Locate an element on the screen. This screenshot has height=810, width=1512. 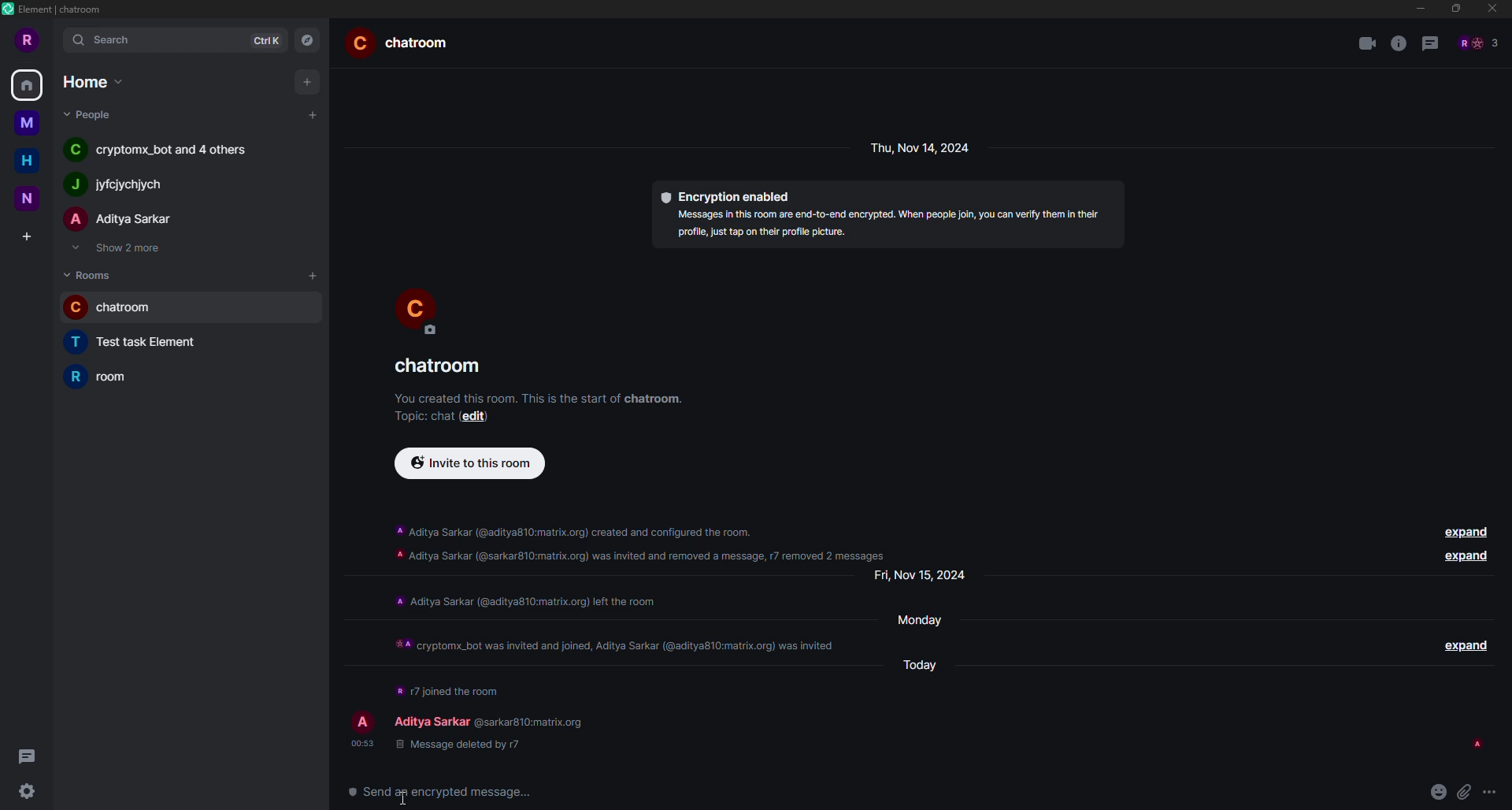
quick settings is located at coordinates (25, 792).